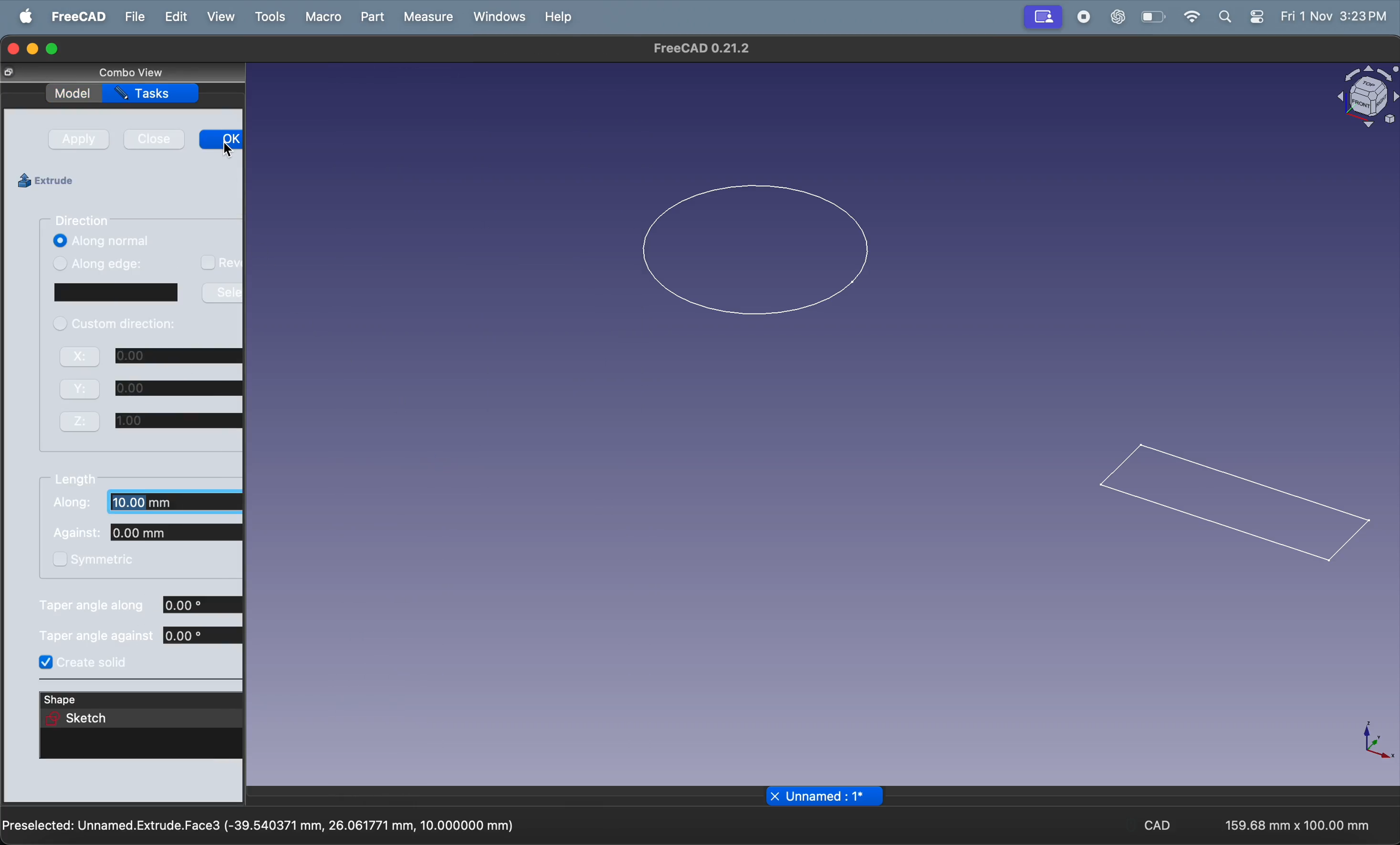 Image resolution: width=1400 pixels, height=845 pixels. I want to click on Fri 1 Nov  3:23 PM, so click(1332, 15).